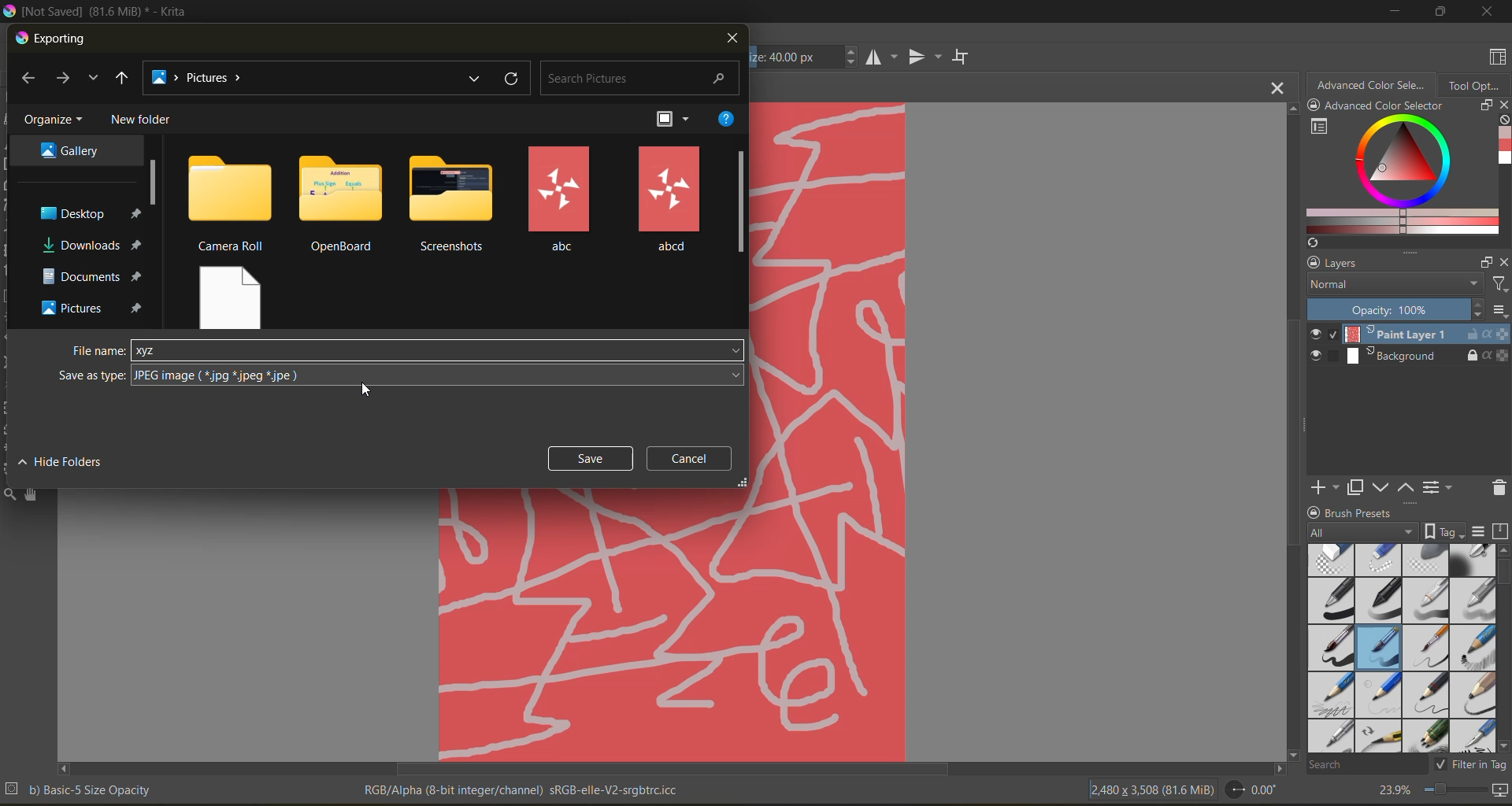  I want to click on [Not Saved] (81.6 MiB) *, so click(766, 88).